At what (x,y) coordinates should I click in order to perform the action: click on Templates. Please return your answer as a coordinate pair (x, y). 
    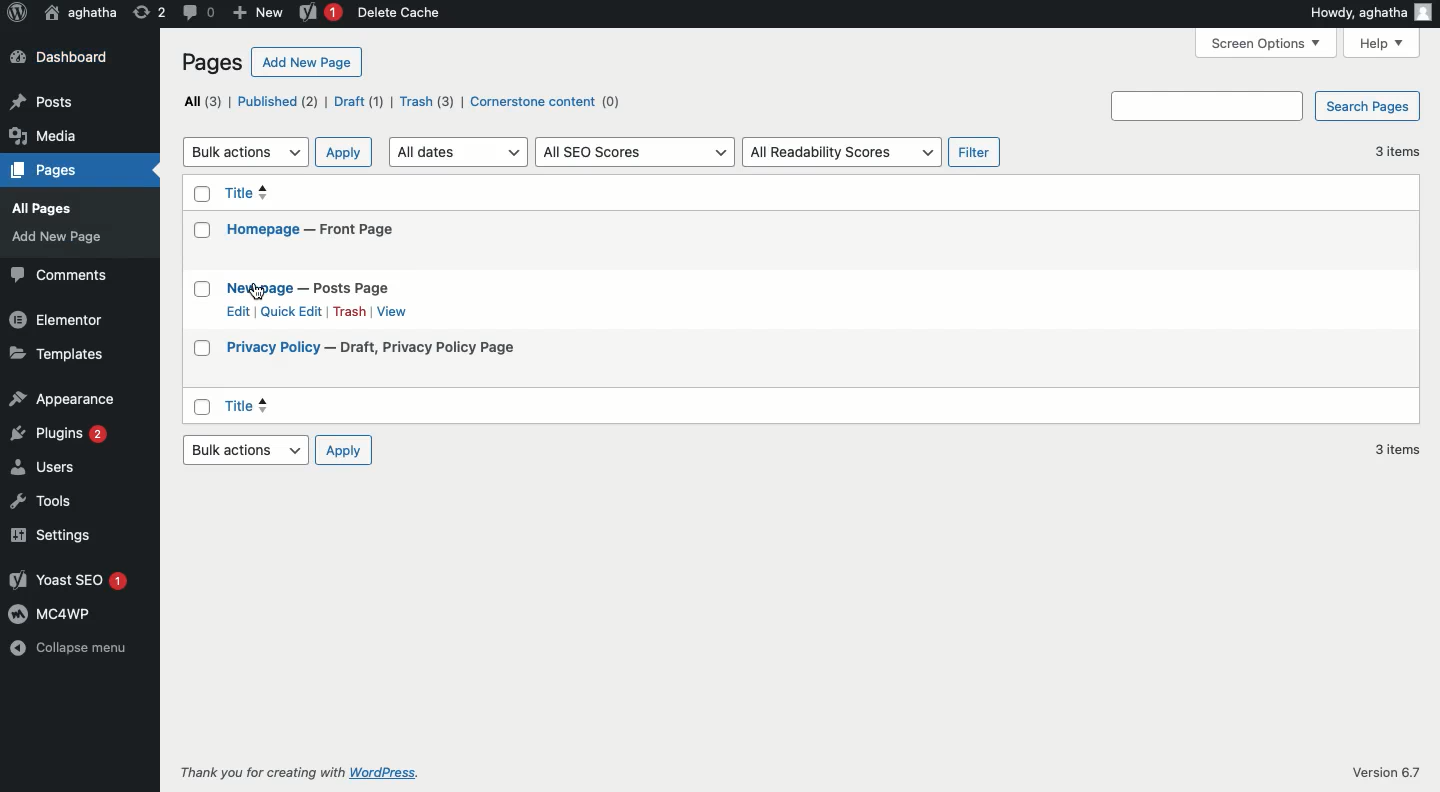
    Looking at the image, I should click on (56, 355).